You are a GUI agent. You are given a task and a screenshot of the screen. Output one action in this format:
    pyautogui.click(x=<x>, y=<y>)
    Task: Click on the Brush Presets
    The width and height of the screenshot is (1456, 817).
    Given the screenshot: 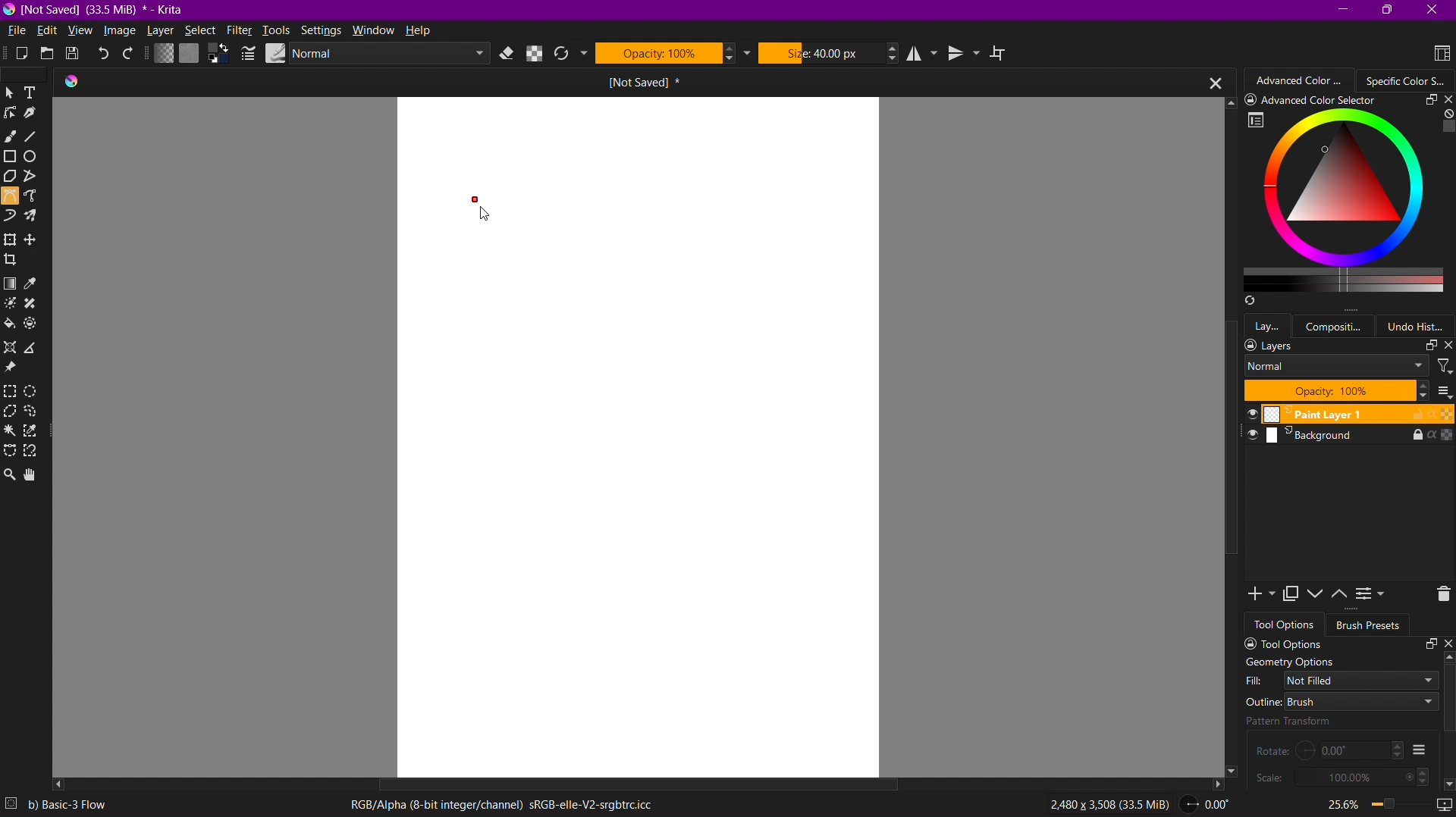 What is the action you would take?
    pyautogui.click(x=1370, y=625)
    